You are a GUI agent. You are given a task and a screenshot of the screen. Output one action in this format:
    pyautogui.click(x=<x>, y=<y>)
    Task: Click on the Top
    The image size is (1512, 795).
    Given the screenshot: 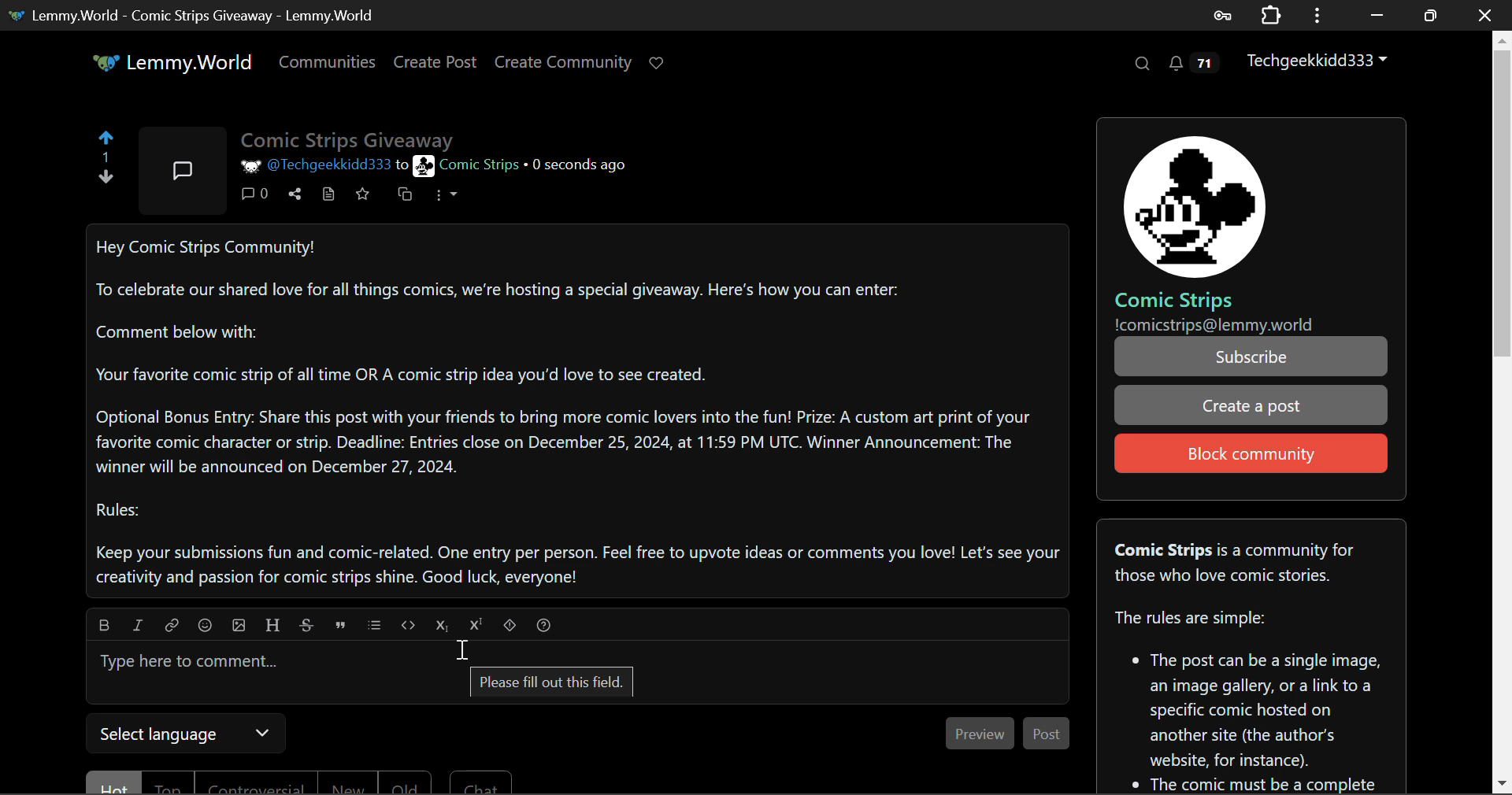 What is the action you would take?
    pyautogui.click(x=169, y=783)
    